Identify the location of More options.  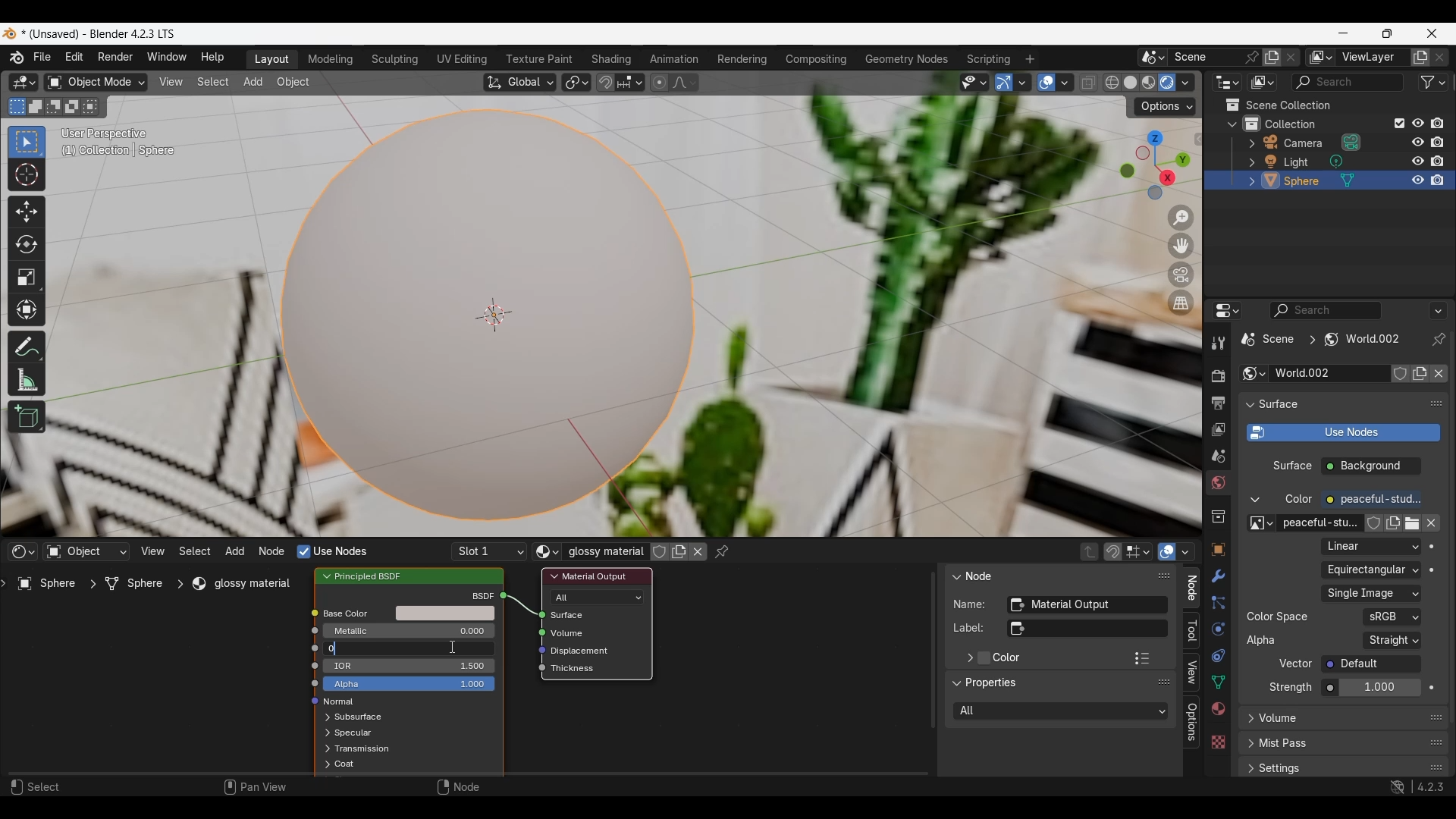
(1438, 311).